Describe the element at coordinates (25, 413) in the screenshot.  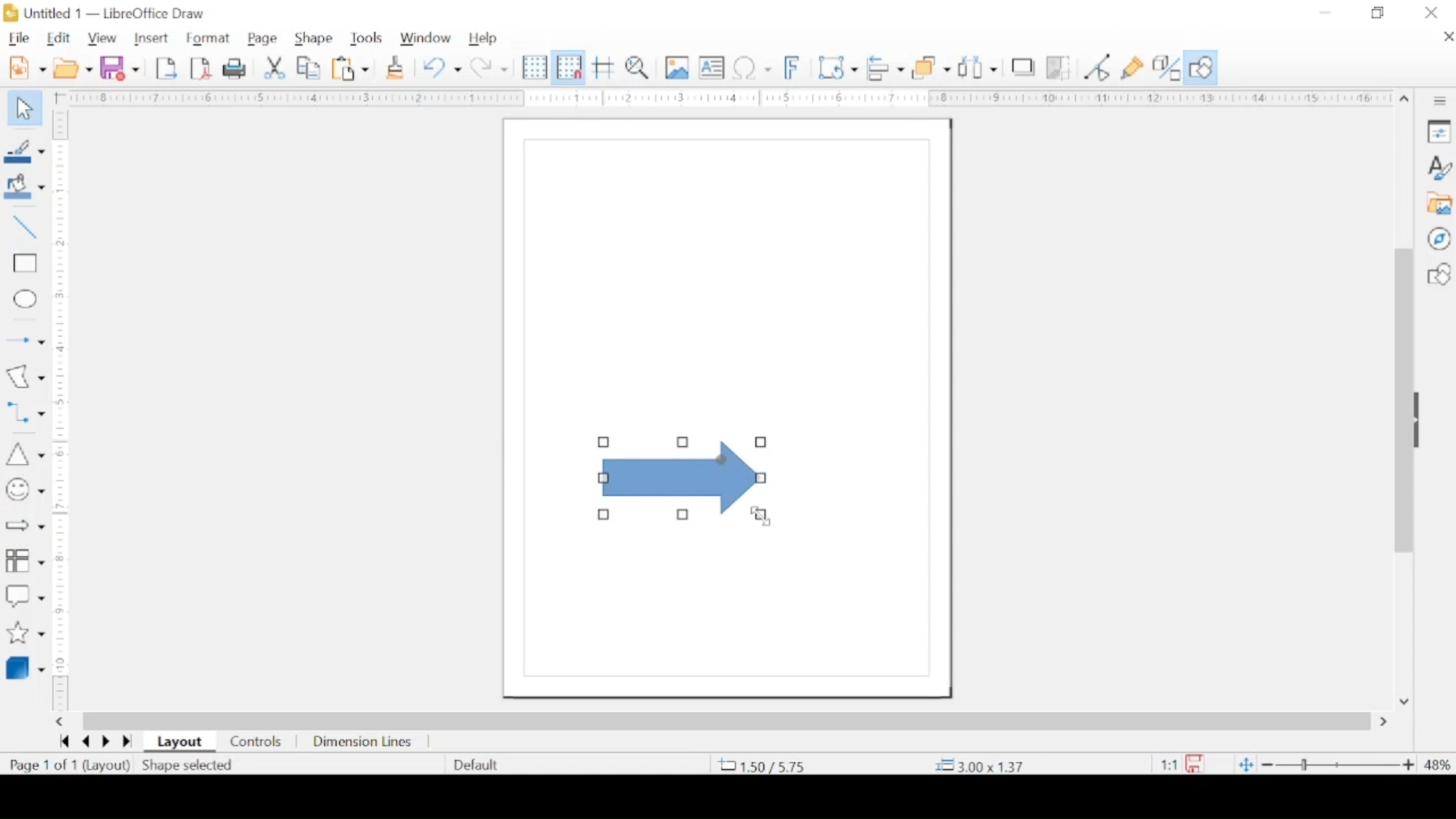
I see `connectors` at that location.